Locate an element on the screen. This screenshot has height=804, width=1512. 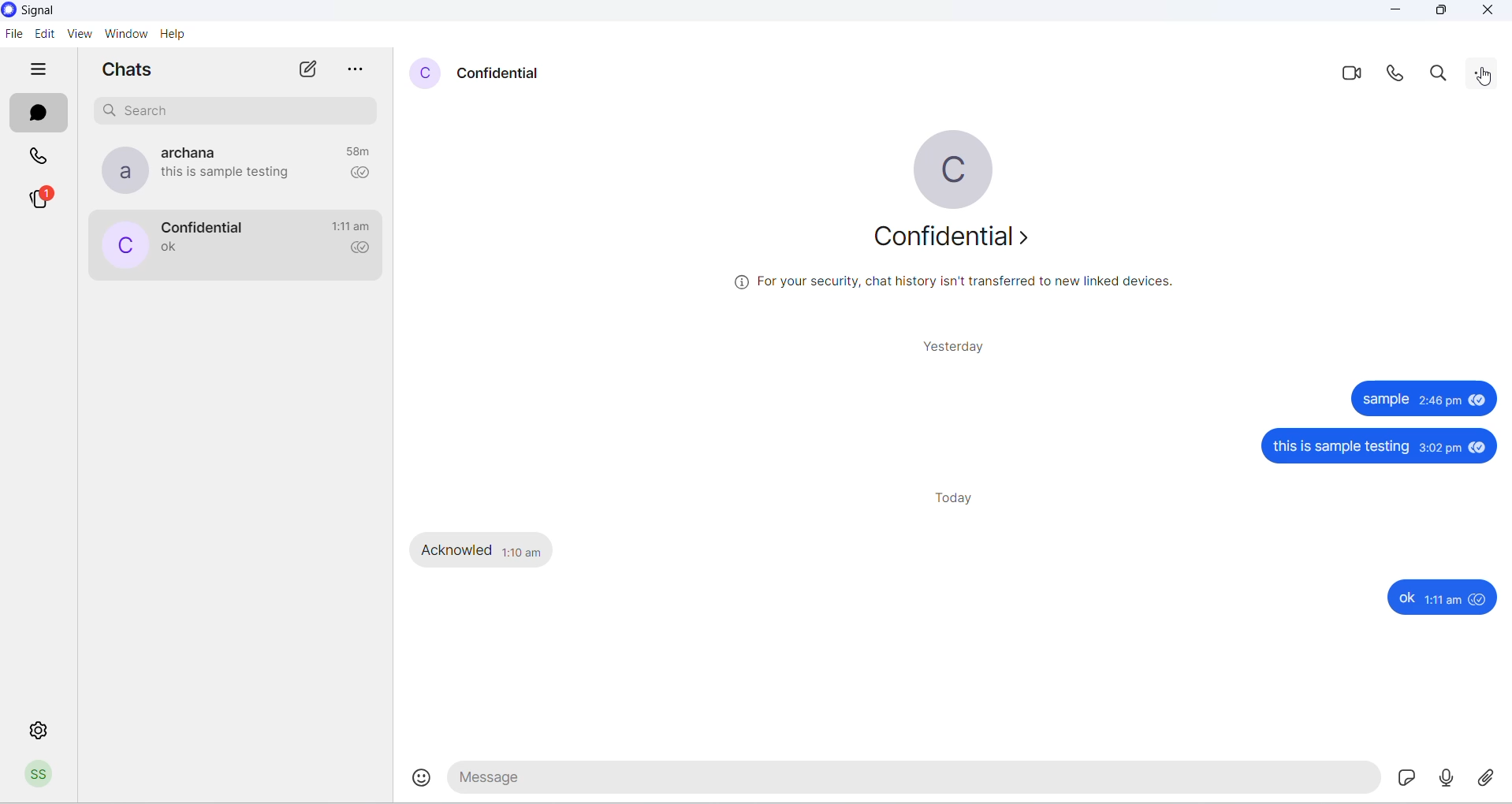
system is located at coordinates (56, 12).